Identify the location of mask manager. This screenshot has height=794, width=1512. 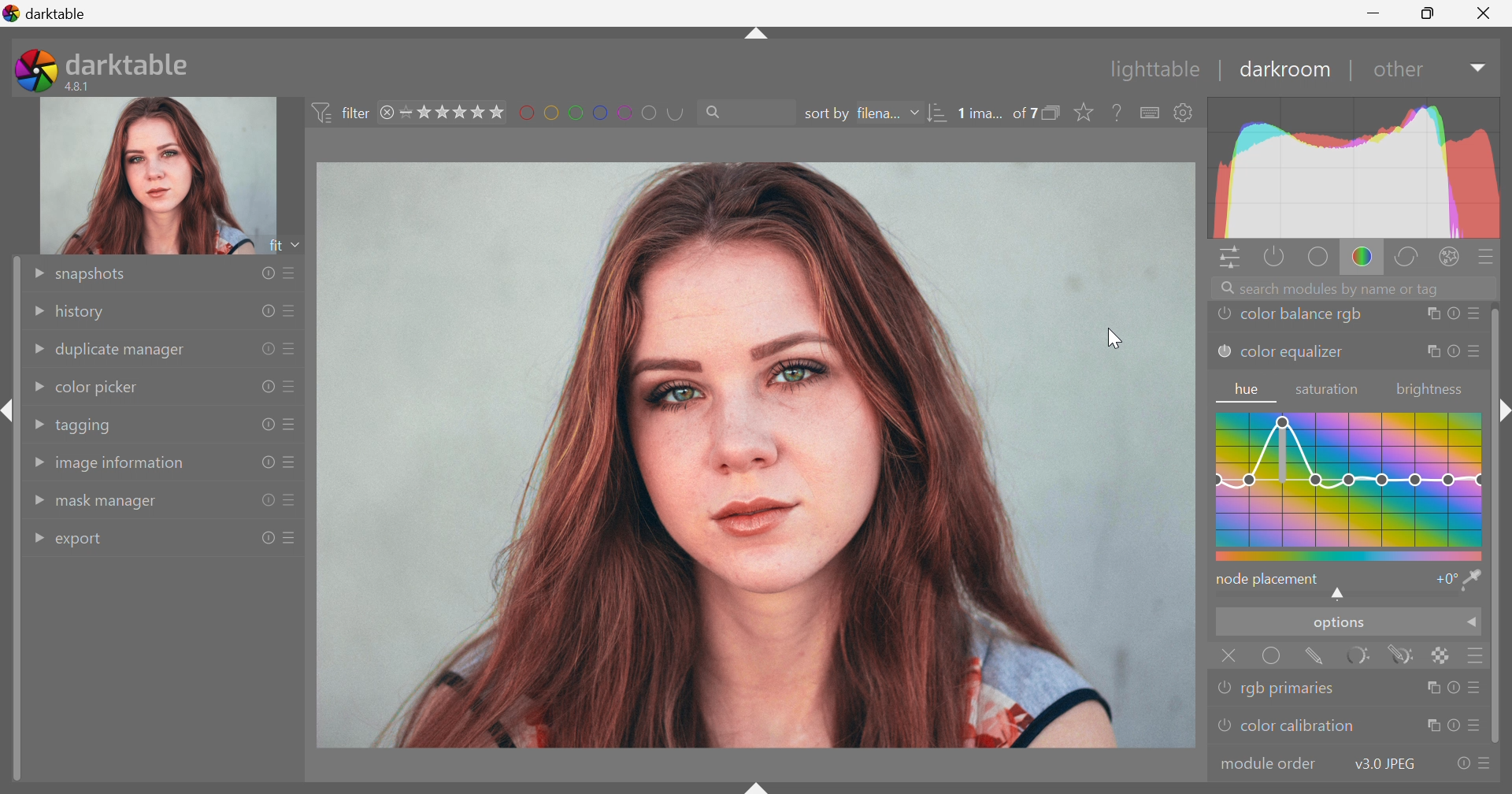
(109, 504).